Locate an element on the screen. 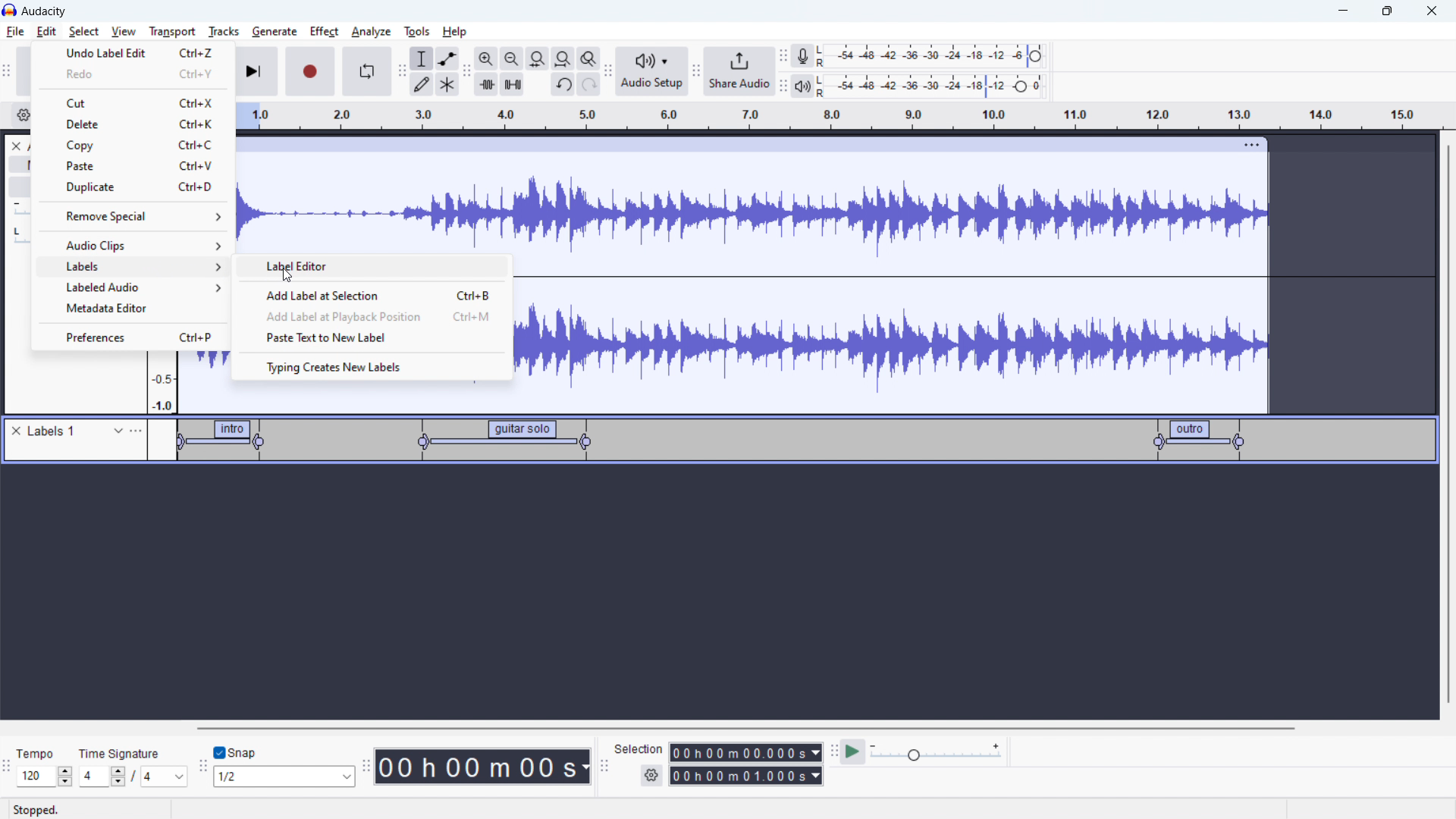  label 2 is located at coordinates (497, 441).